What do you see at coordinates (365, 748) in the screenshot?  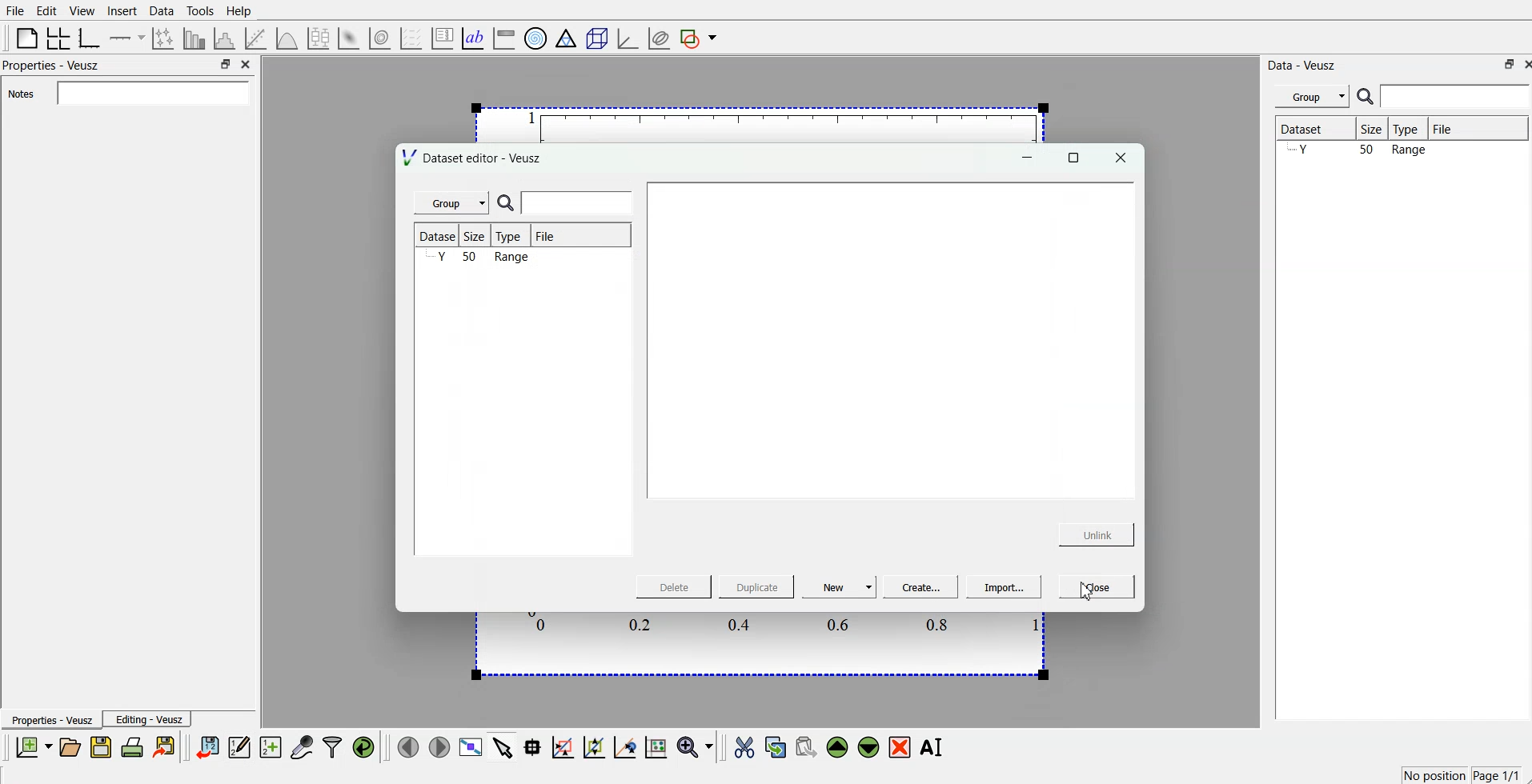 I see `reload linked datas` at bounding box center [365, 748].